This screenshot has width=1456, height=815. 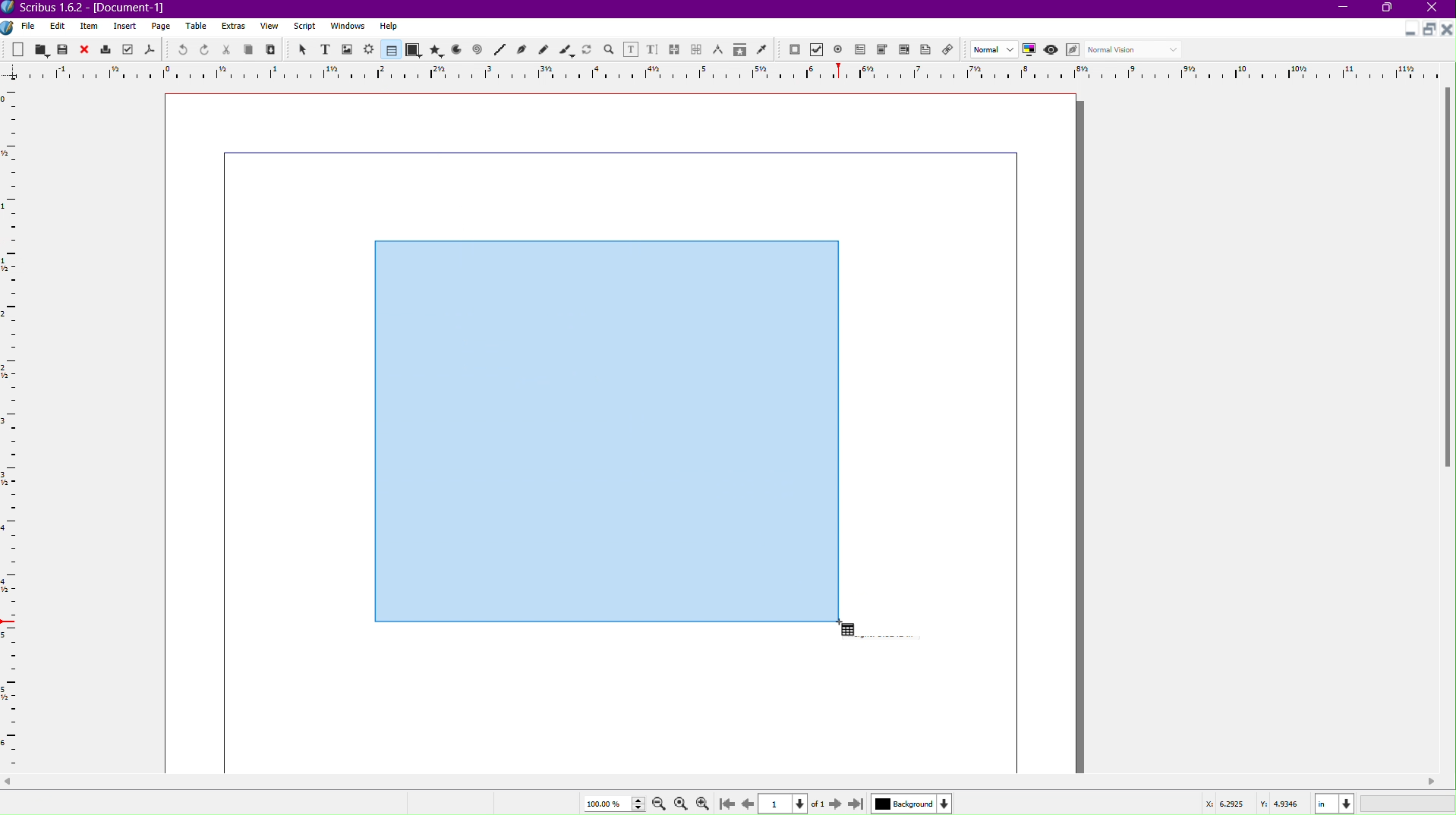 I want to click on Image Preview Quality, so click(x=994, y=49).